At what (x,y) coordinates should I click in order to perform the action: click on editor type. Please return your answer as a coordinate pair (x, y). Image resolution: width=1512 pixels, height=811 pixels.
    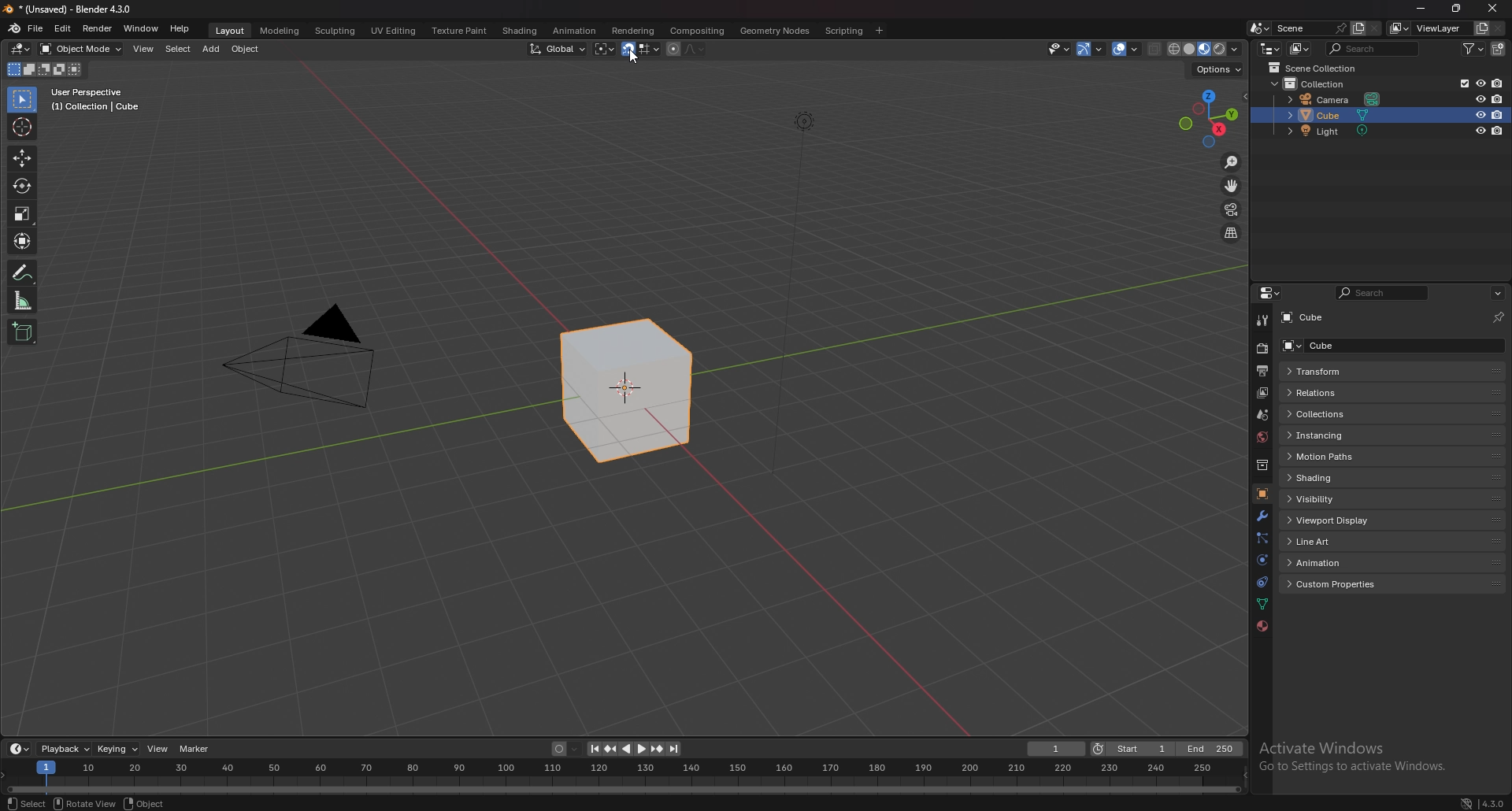
    Looking at the image, I should click on (22, 49).